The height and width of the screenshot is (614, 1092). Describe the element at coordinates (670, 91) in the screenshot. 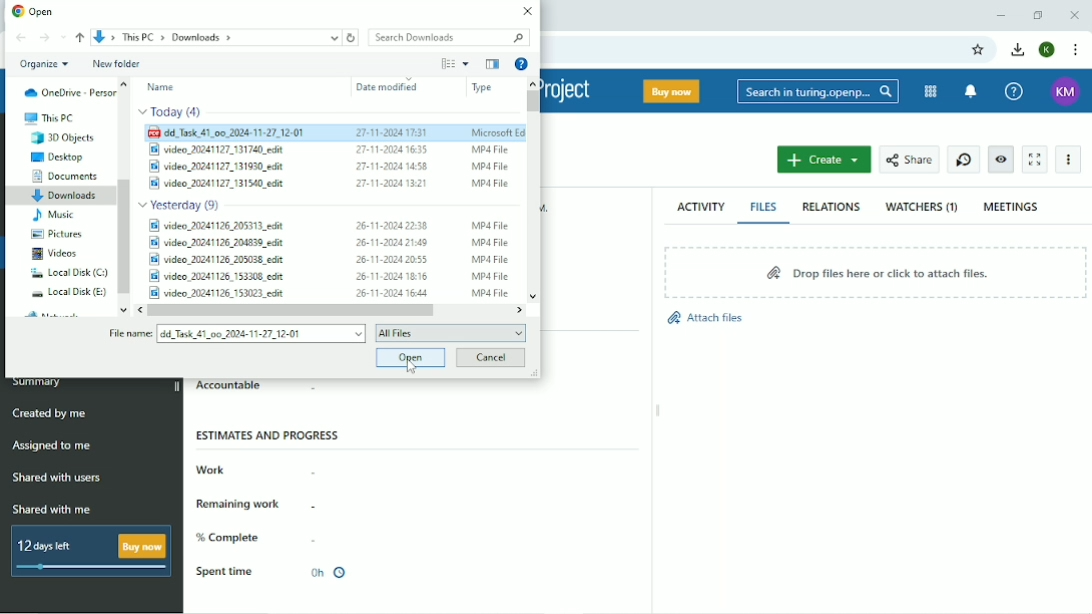

I see `Buy now` at that location.